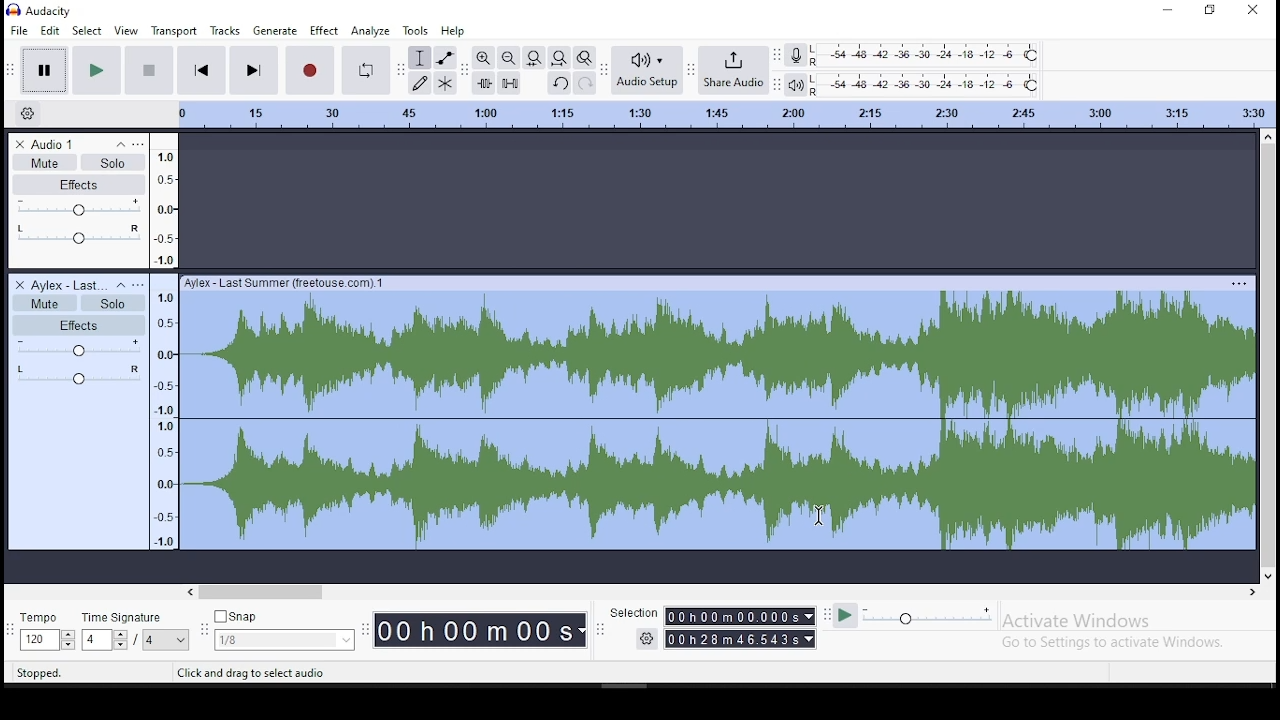 Image resolution: width=1280 pixels, height=720 pixels. I want to click on multi tool, so click(445, 82).